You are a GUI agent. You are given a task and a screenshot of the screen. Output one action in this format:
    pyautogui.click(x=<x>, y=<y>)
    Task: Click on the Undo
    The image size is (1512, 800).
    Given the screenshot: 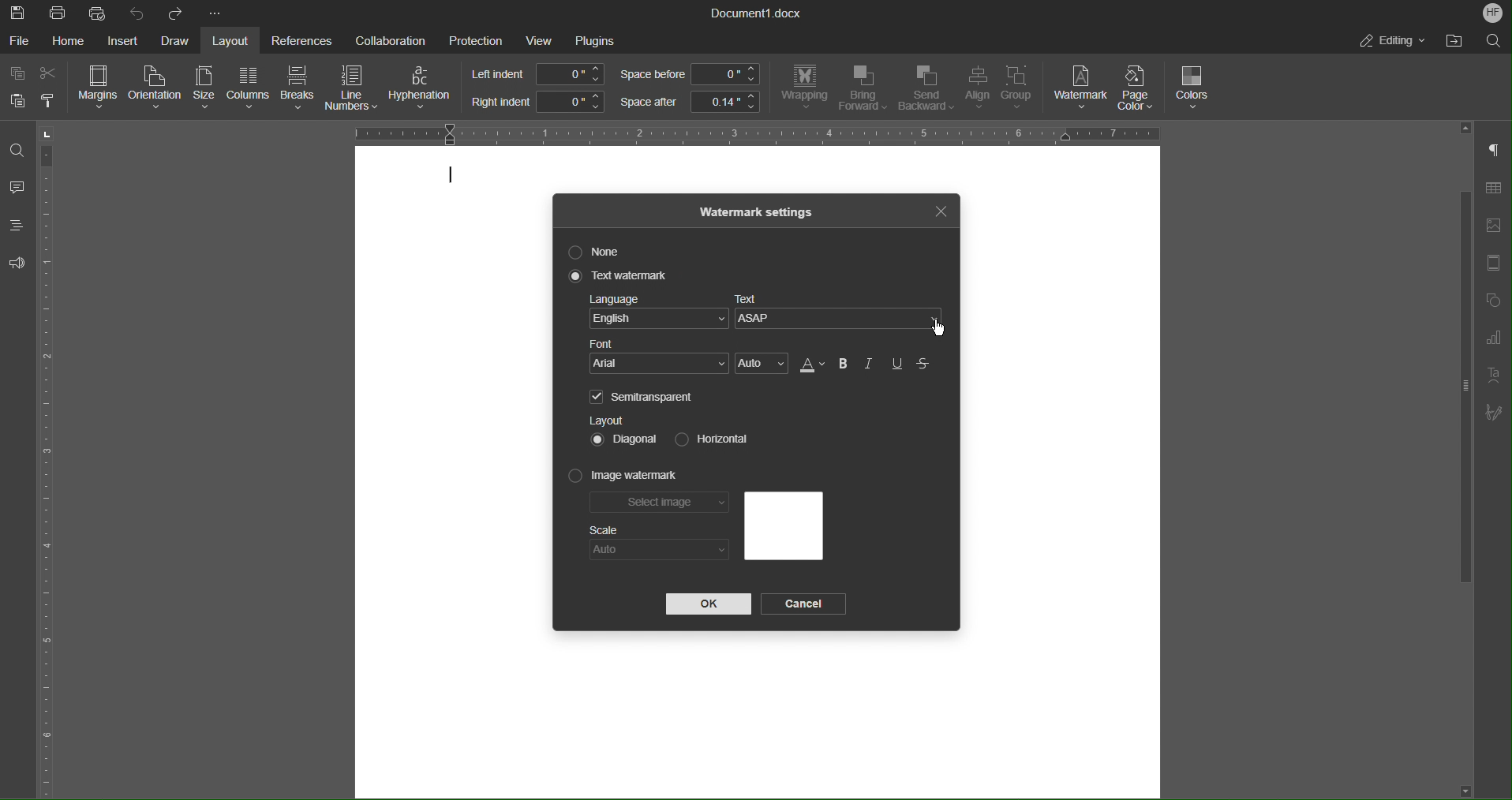 What is the action you would take?
    pyautogui.click(x=137, y=13)
    